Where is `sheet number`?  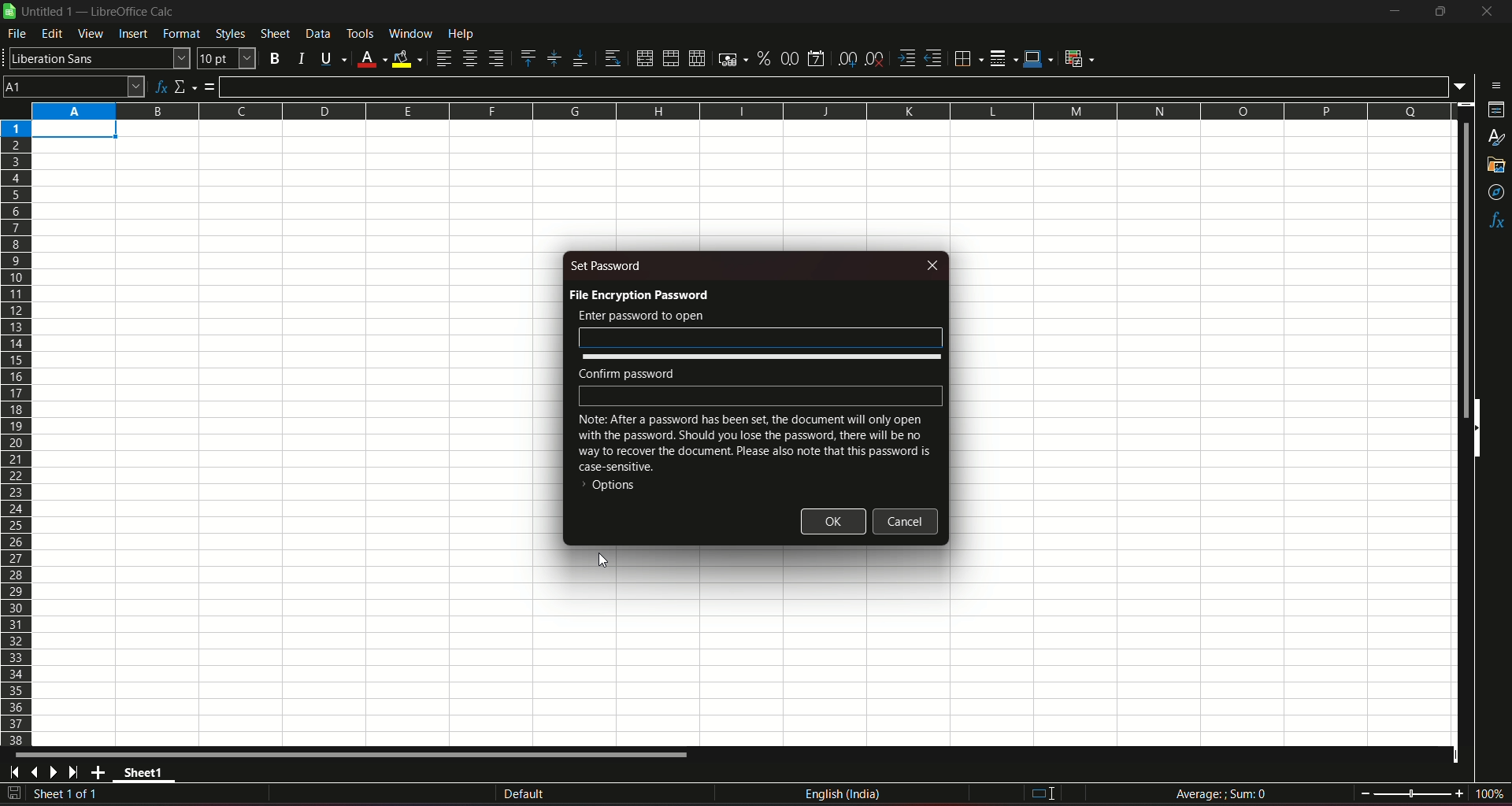 sheet number is located at coordinates (74, 795).